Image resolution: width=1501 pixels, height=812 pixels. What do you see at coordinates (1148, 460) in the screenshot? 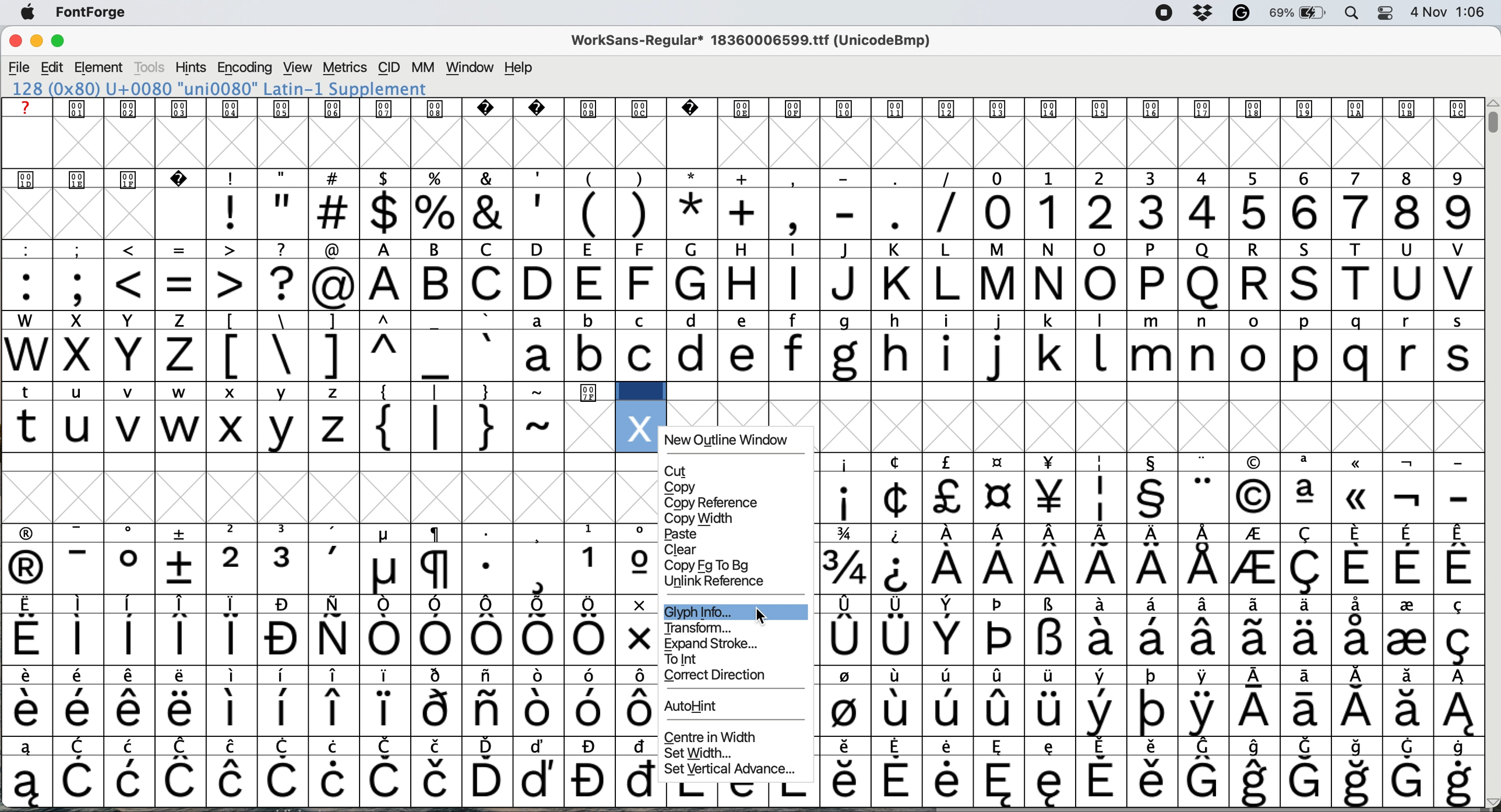
I see `SPECIAL CHARACTERS` at bounding box center [1148, 460].